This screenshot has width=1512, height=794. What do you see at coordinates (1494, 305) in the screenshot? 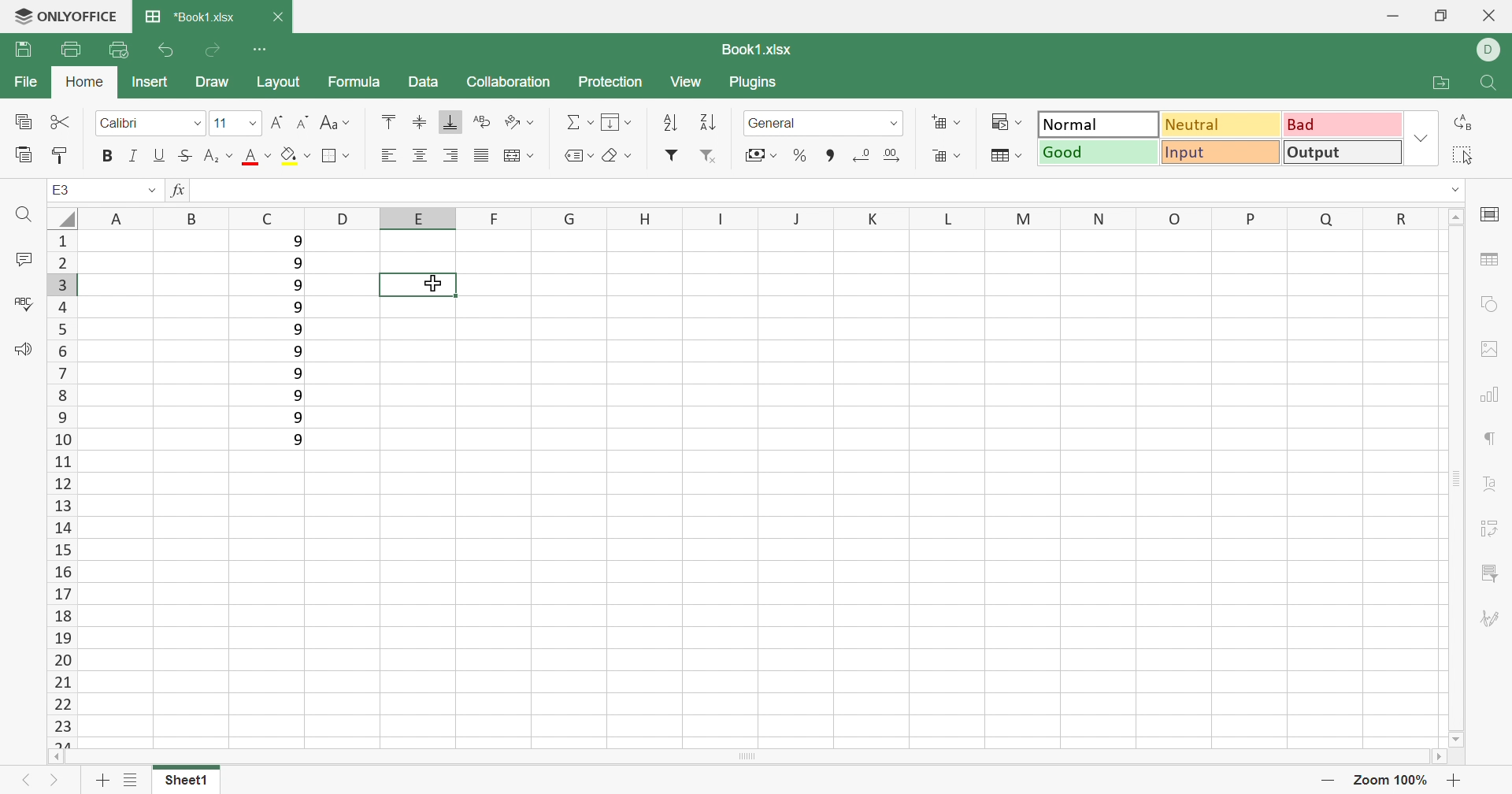
I see `shape settings` at bounding box center [1494, 305].